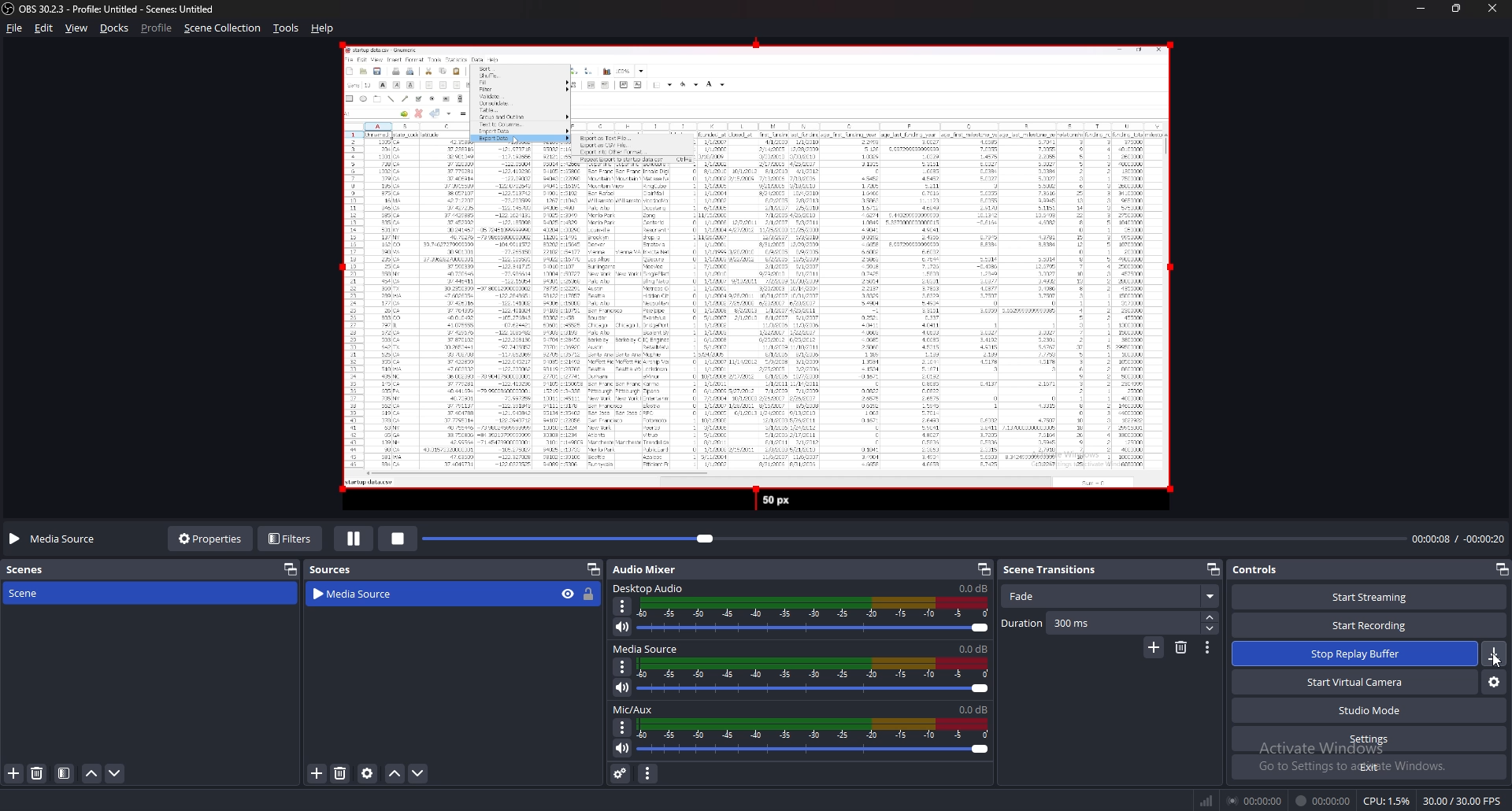 Image resolution: width=1512 pixels, height=811 pixels. Describe the element at coordinates (418, 773) in the screenshot. I see `move source down` at that location.